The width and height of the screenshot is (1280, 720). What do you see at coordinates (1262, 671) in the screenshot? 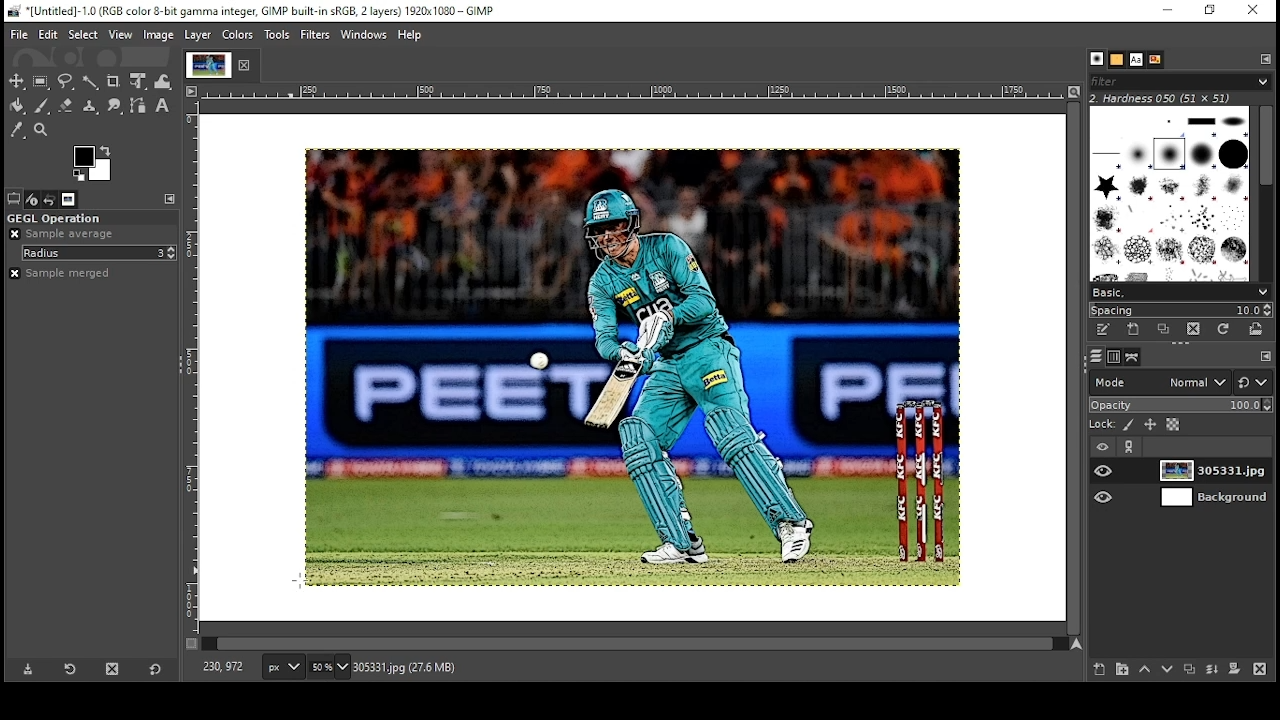
I see `delete layer` at bounding box center [1262, 671].